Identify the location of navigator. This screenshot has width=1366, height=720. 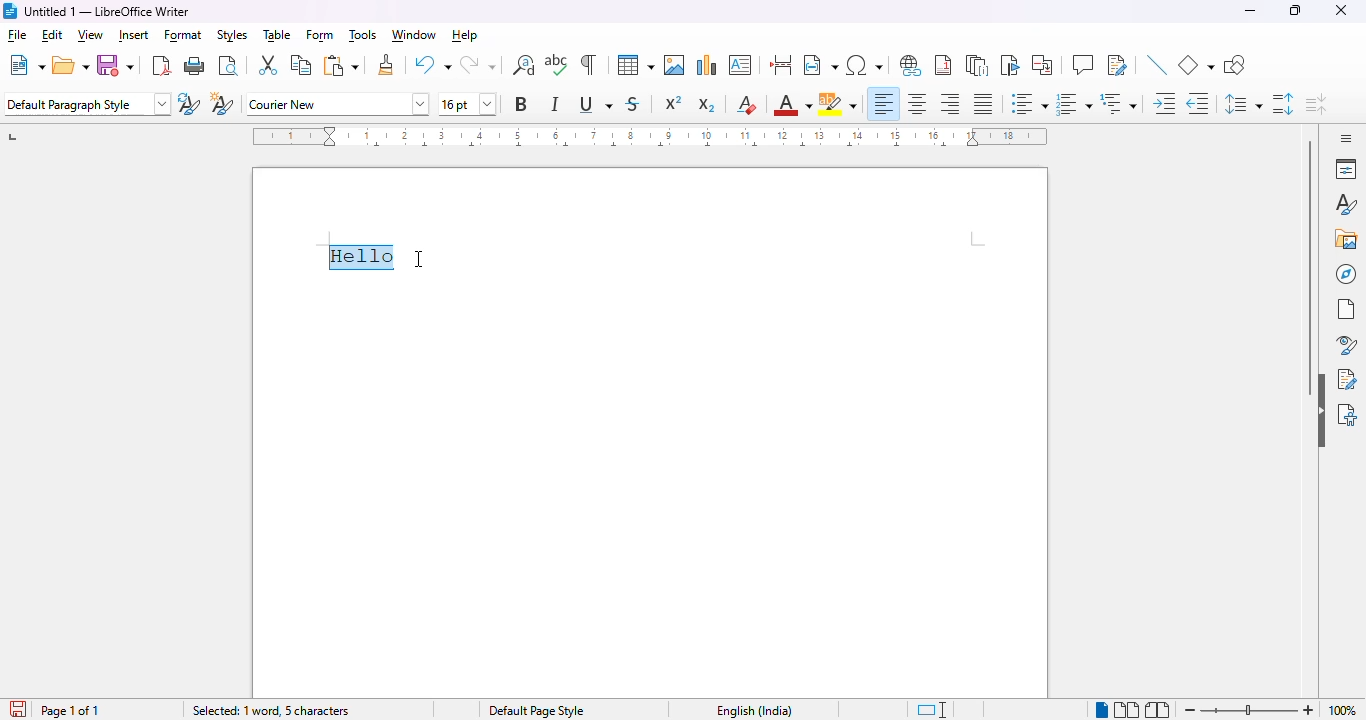
(1347, 274).